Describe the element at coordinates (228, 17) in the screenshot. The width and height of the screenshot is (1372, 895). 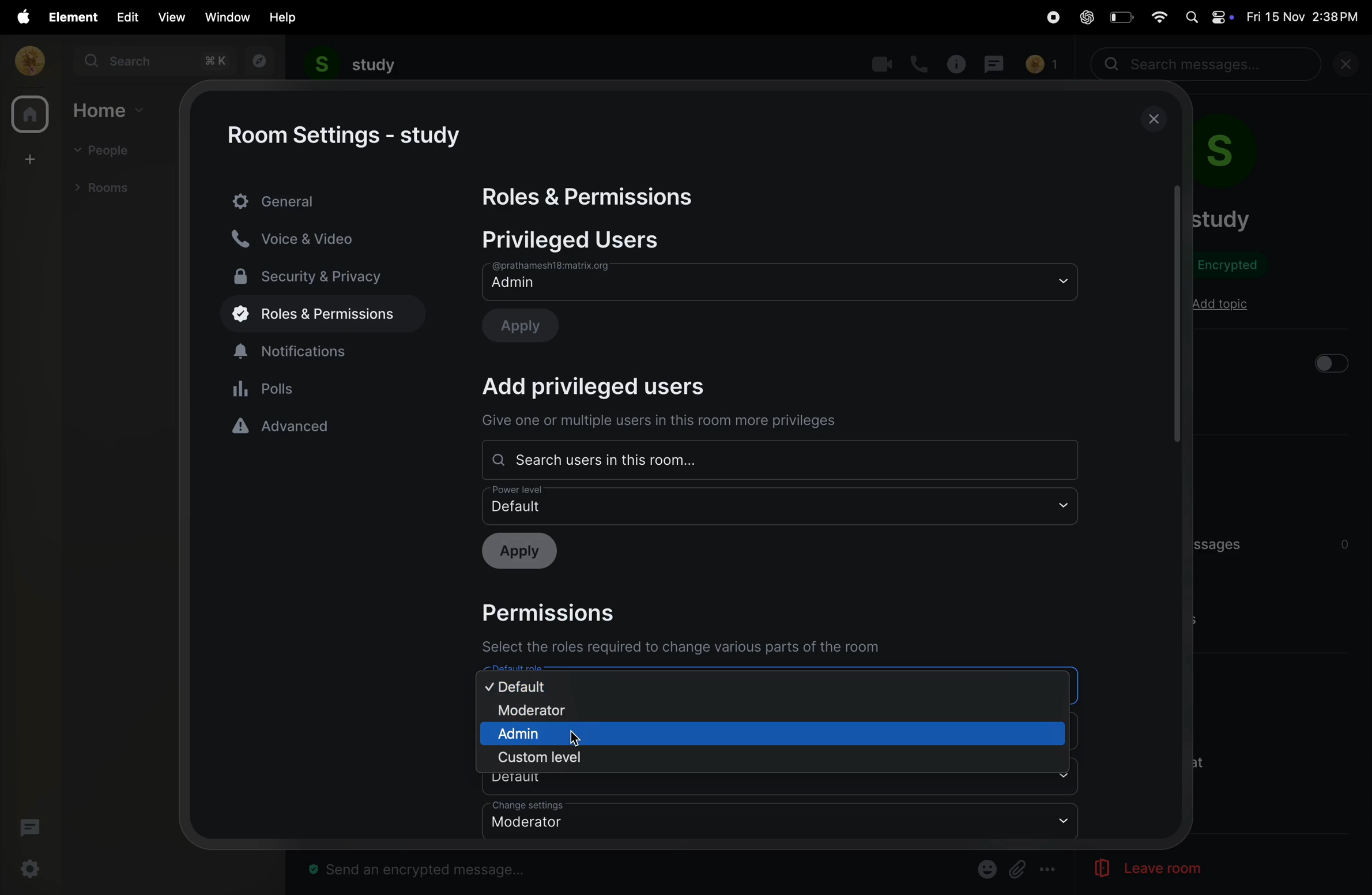
I see `window` at that location.